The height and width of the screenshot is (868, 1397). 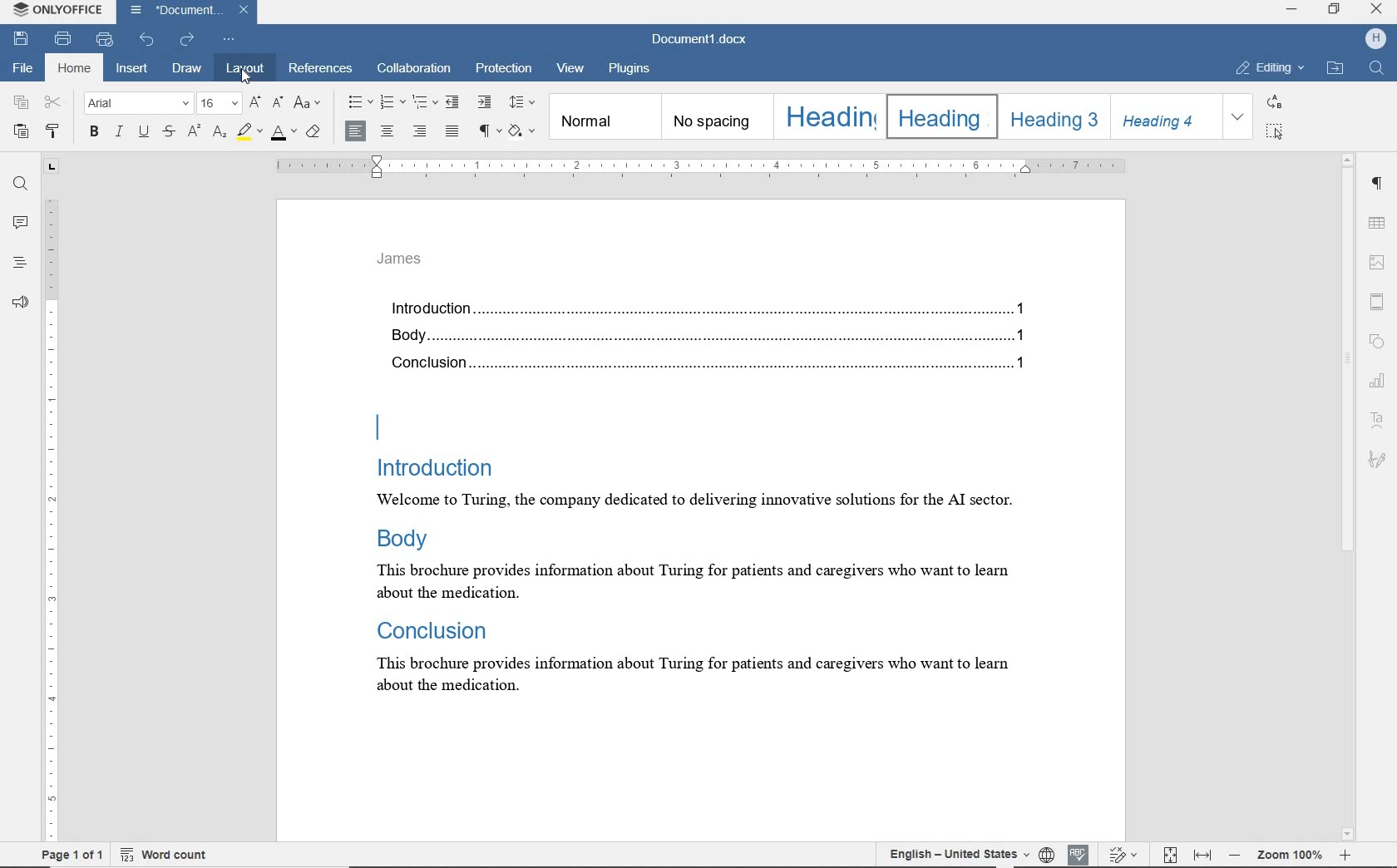 What do you see at coordinates (700, 40) in the screenshot?
I see `document name` at bounding box center [700, 40].